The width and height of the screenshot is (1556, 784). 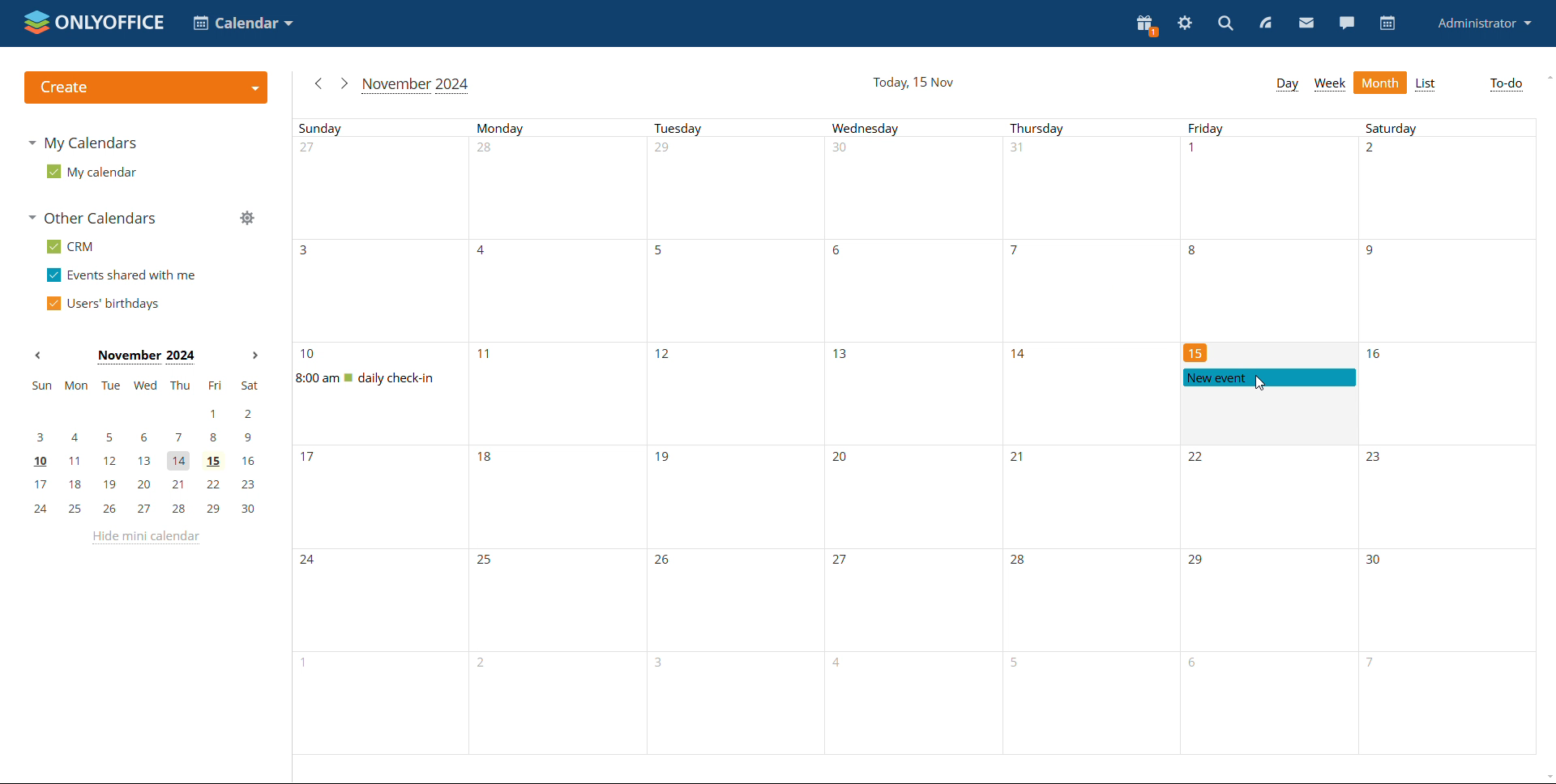 What do you see at coordinates (488, 561) in the screenshot?
I see `` at bounding box center [488, 561].